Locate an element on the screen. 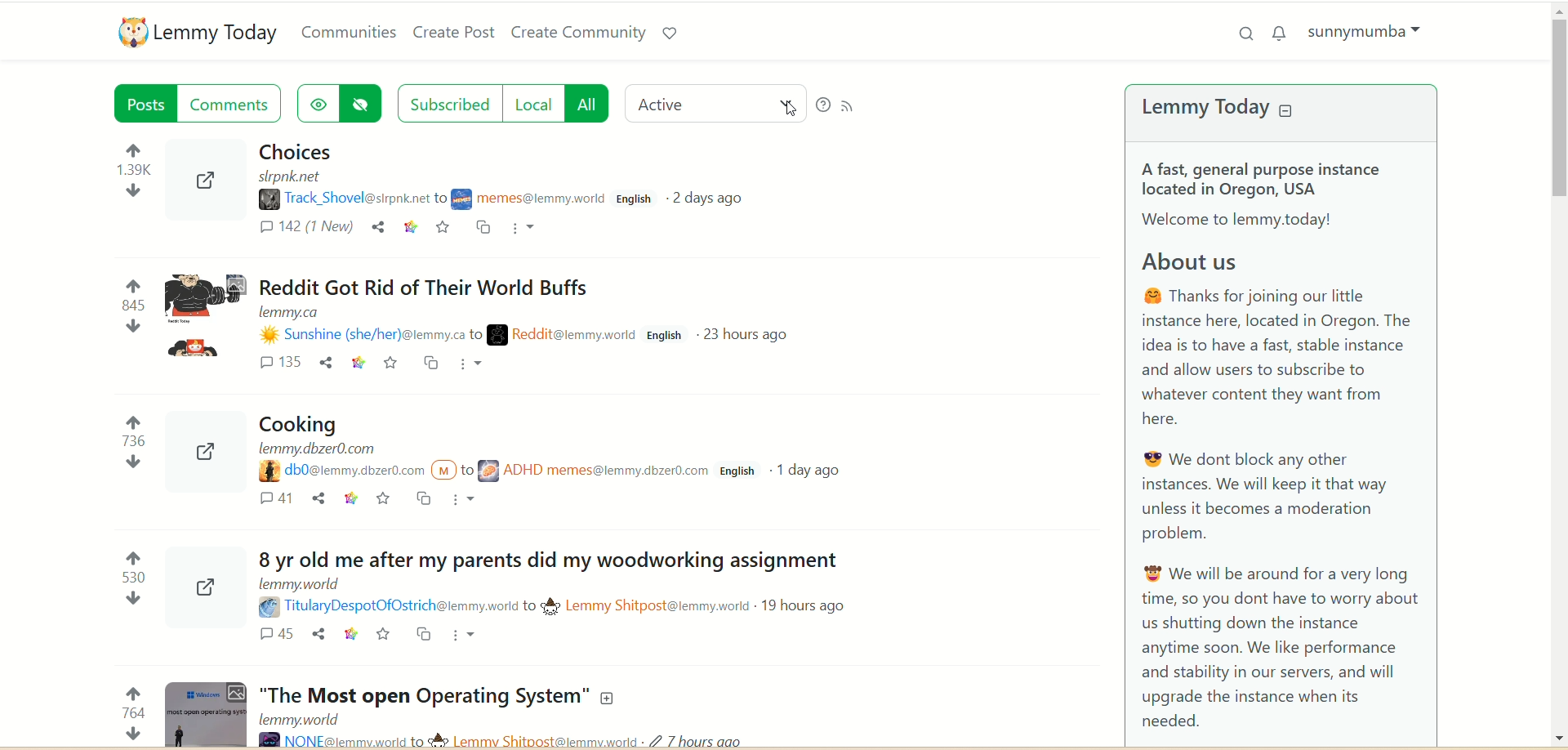 The width and height of the screenshot is (1568, 750). RSS is located at coordinates (854, 103).